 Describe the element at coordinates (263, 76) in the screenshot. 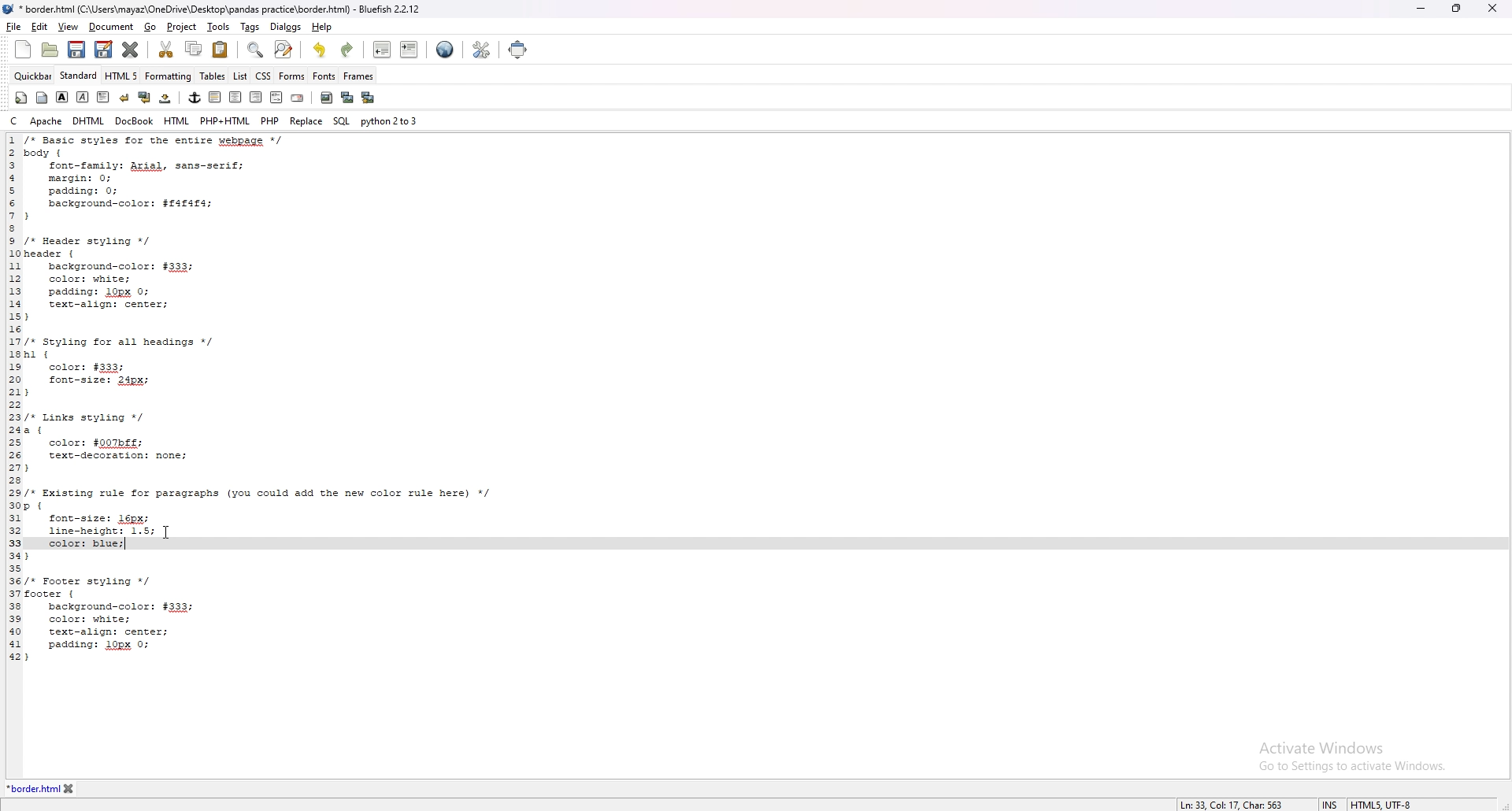

I see `css` at that location.